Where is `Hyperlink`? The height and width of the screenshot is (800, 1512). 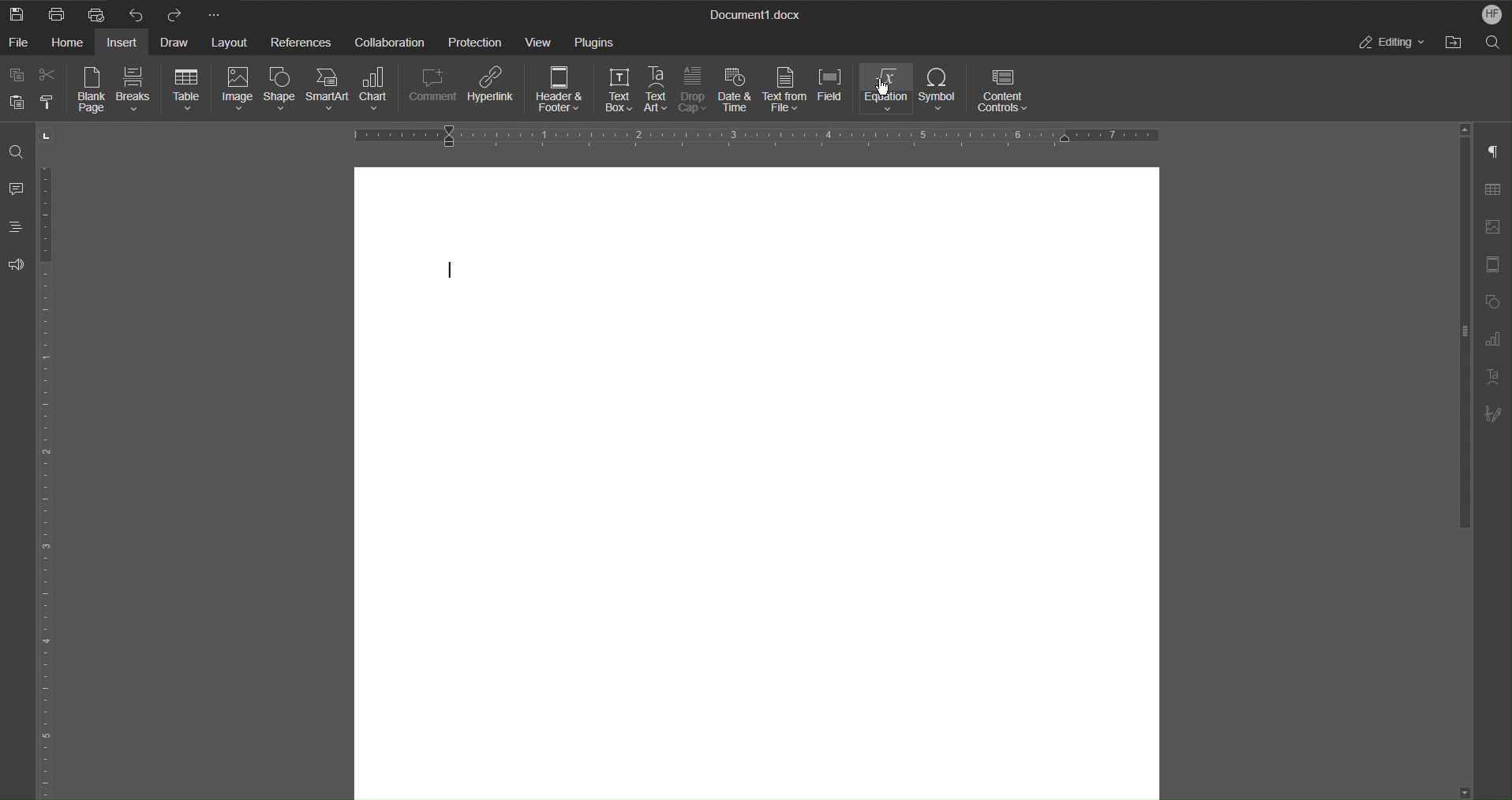
Hyperlink is located at coordinates (495, 91).